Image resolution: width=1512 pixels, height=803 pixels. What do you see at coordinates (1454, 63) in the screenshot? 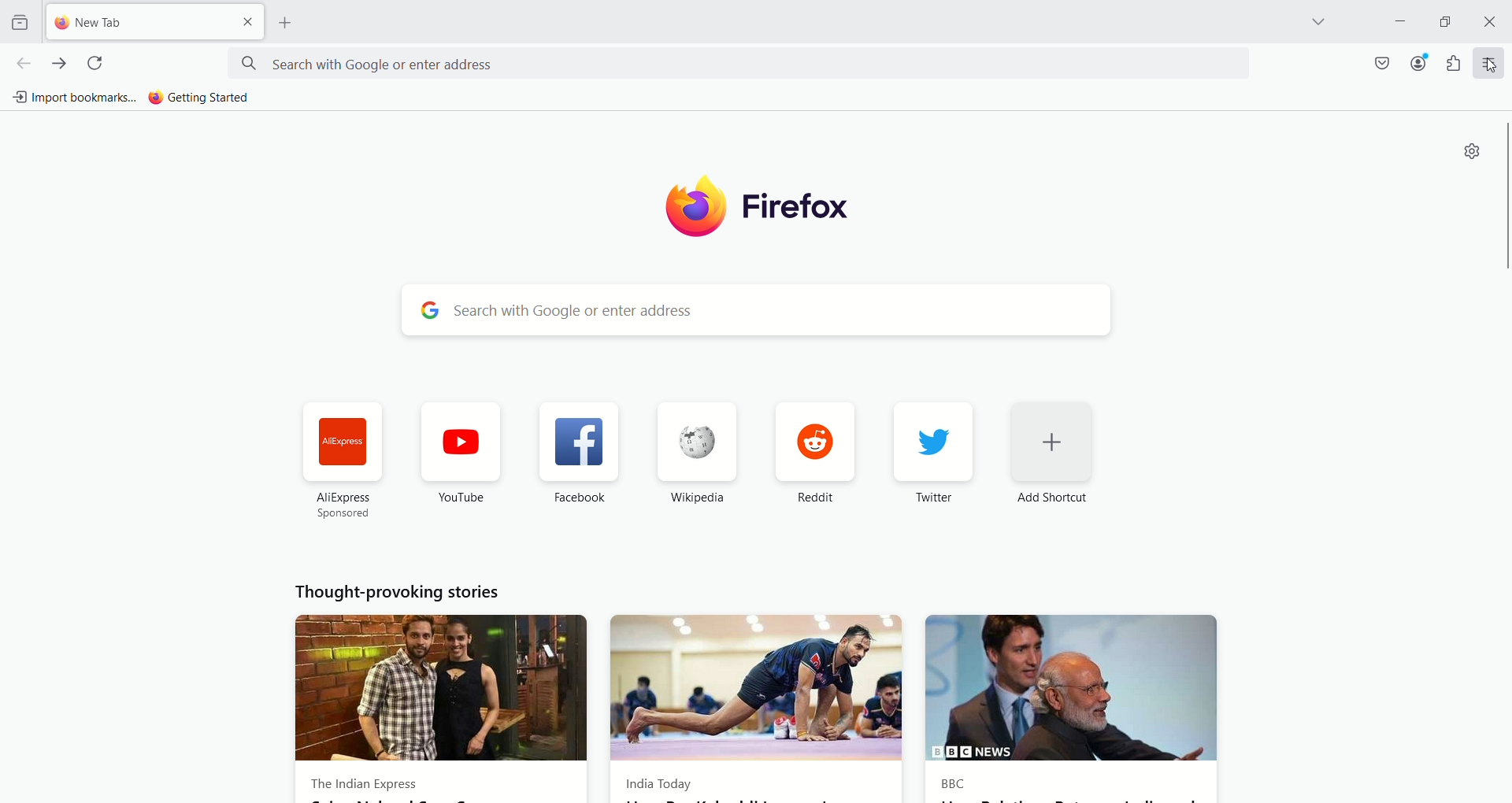
I see `extension` at bounding box center [1454, 63].